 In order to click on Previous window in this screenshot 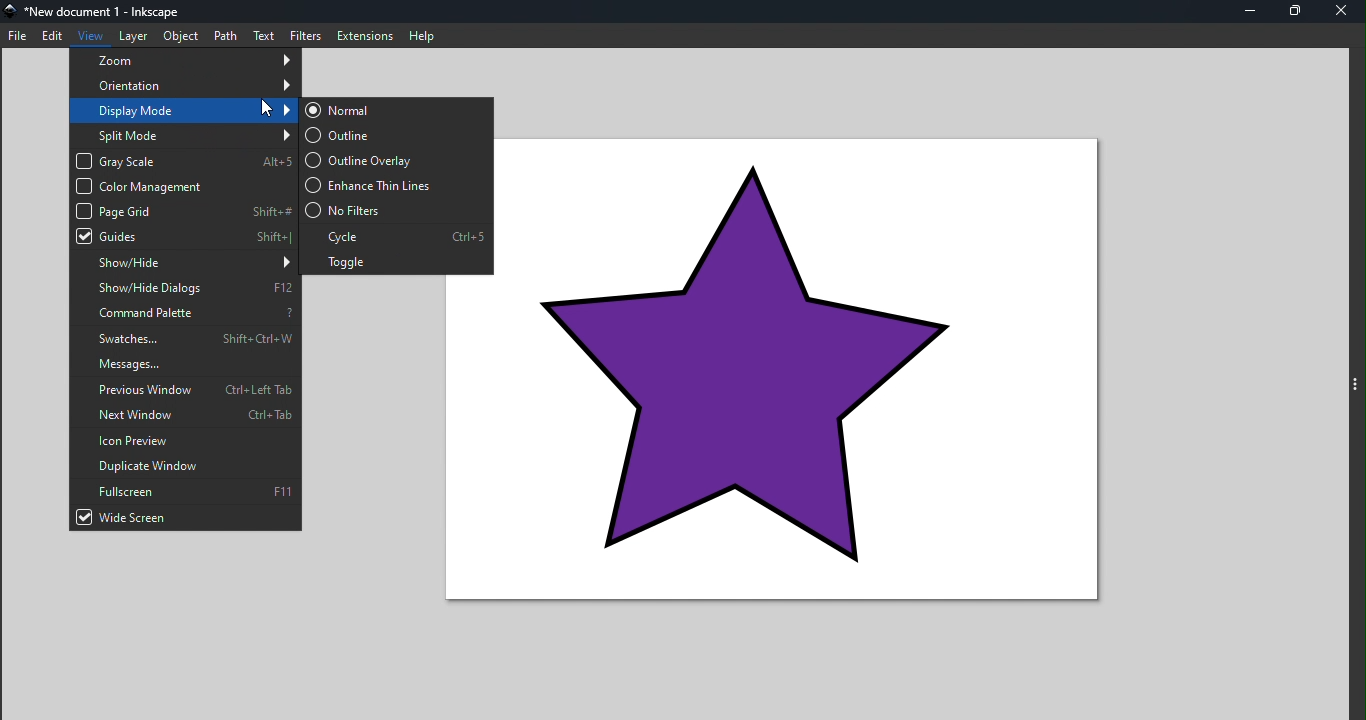, I will do `click(186, 390)`.